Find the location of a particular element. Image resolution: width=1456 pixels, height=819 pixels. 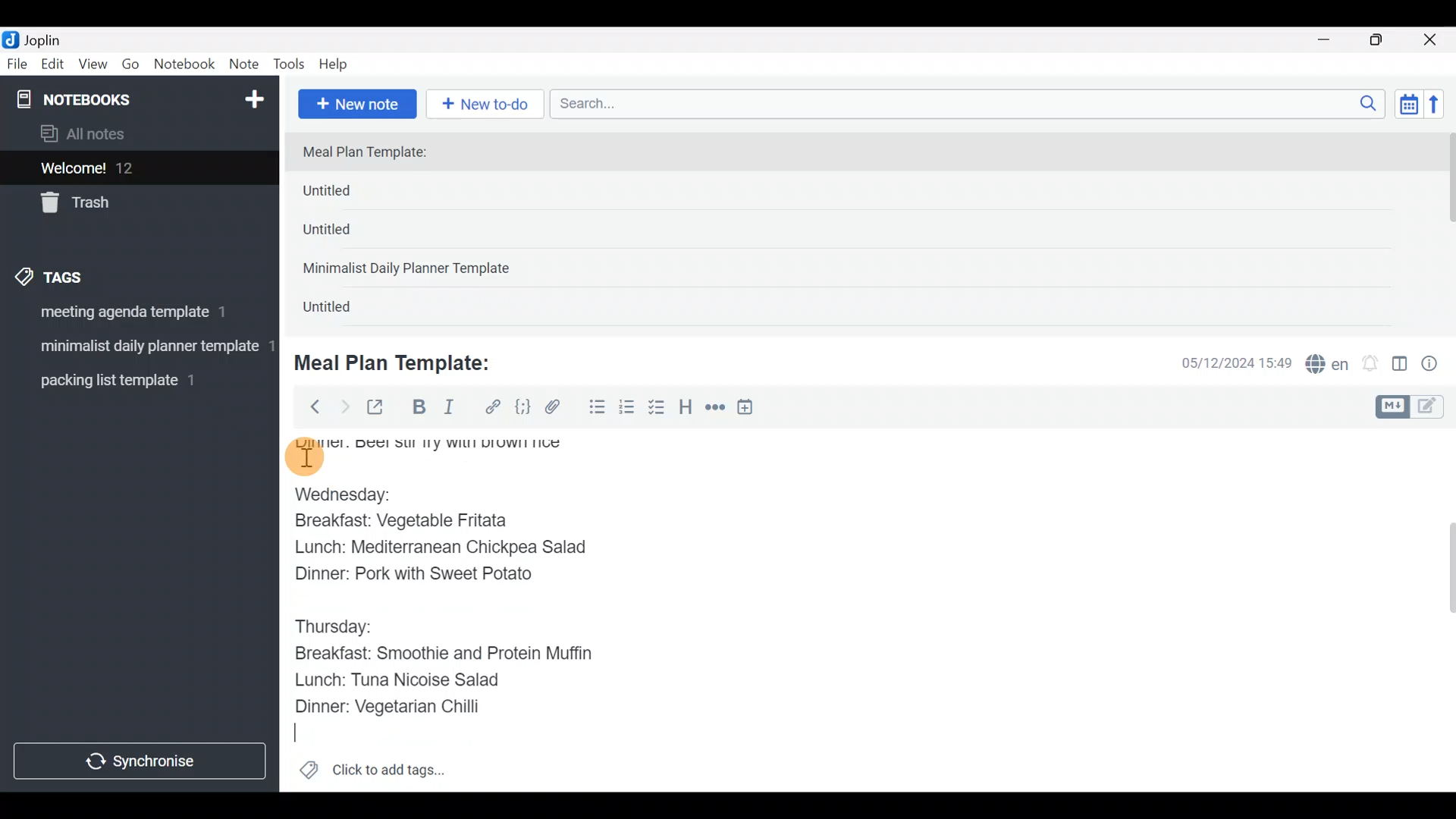

text Cursor is located at coordinates (306, 737).